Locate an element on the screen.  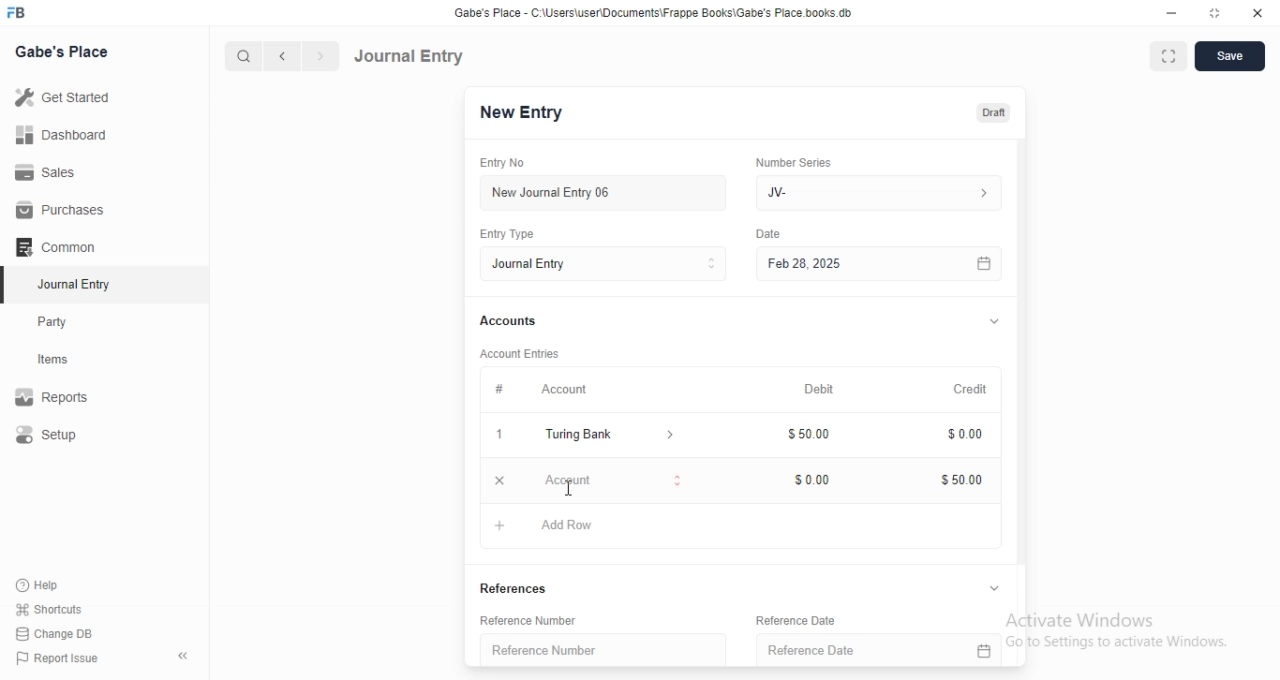
vertical scrollbar is located at coordinates (1022, 350).